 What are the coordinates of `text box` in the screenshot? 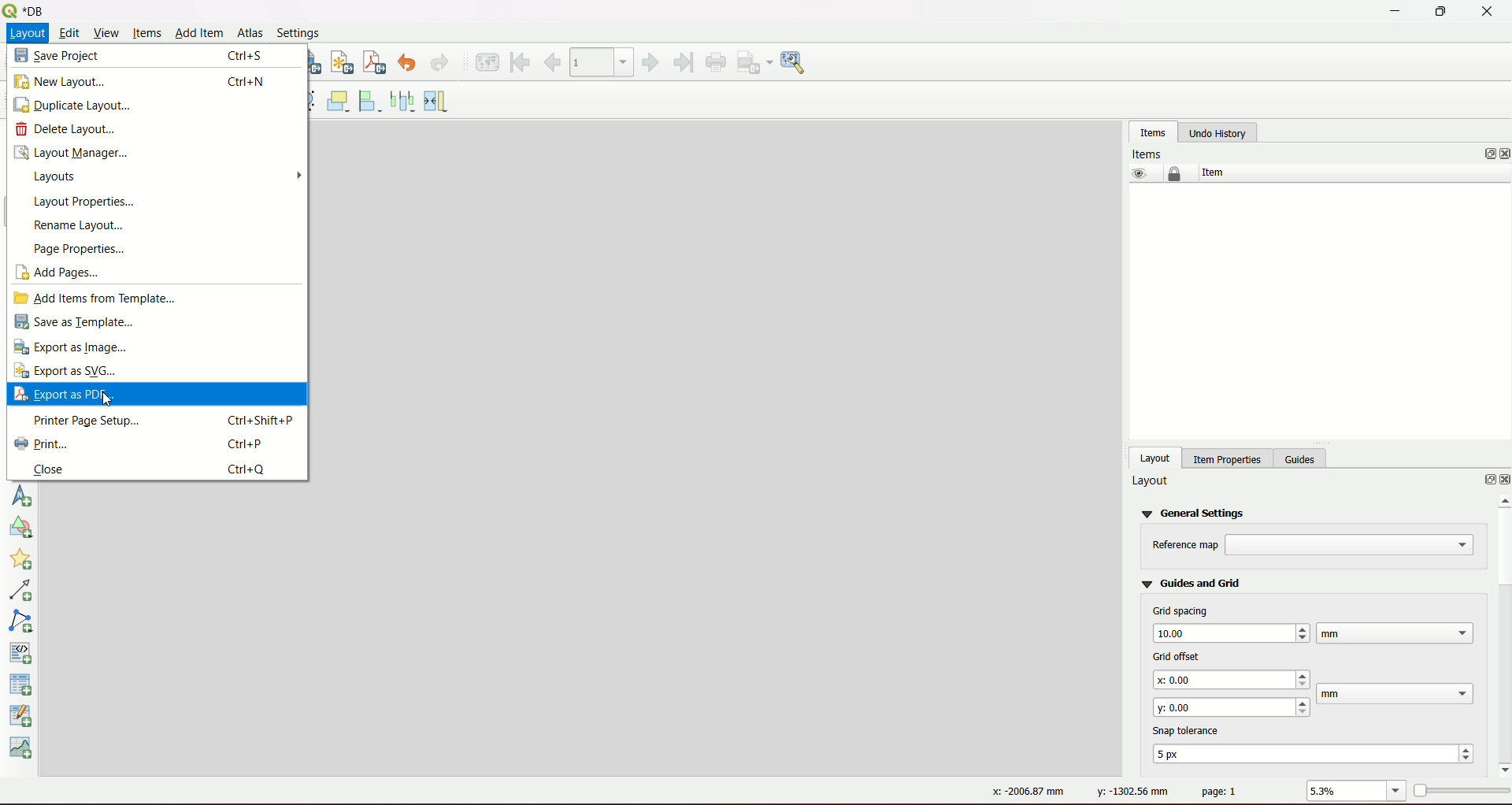 It's located at (1232, 706).